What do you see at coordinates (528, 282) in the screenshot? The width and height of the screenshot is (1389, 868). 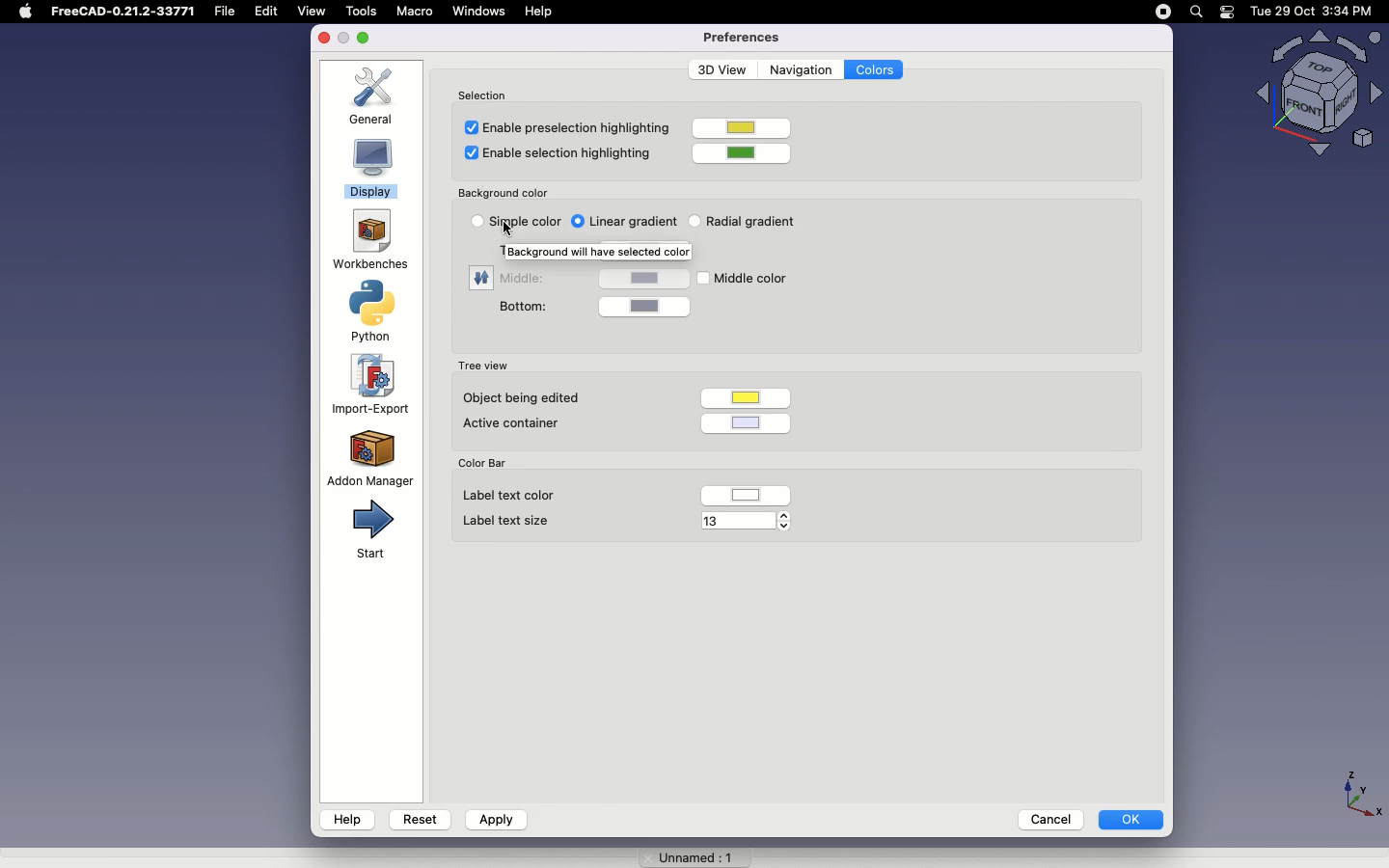 I see `Middle` at bounding box center [528, 282].